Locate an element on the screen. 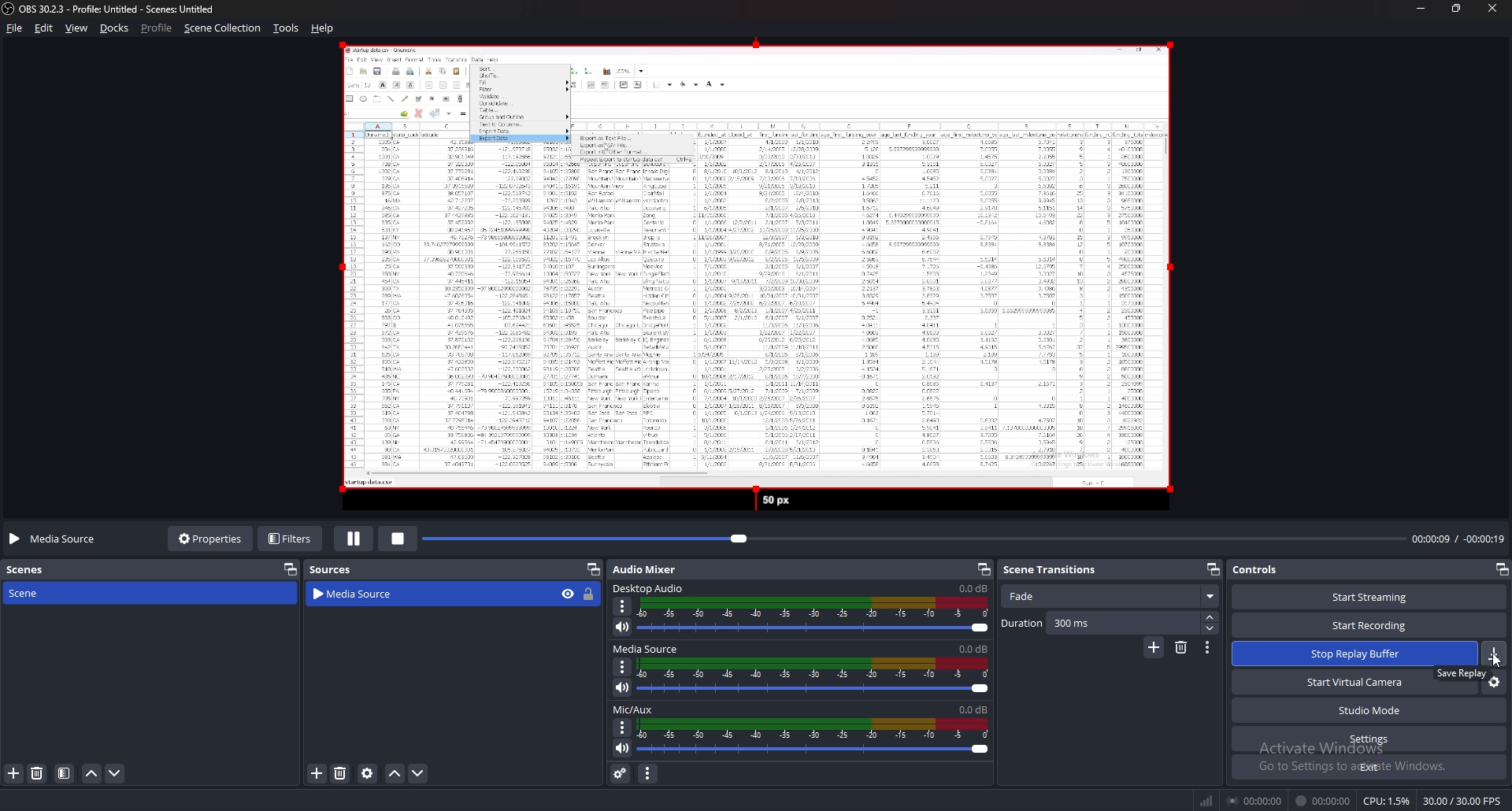  cursor is located at coordinates (1497, 660).